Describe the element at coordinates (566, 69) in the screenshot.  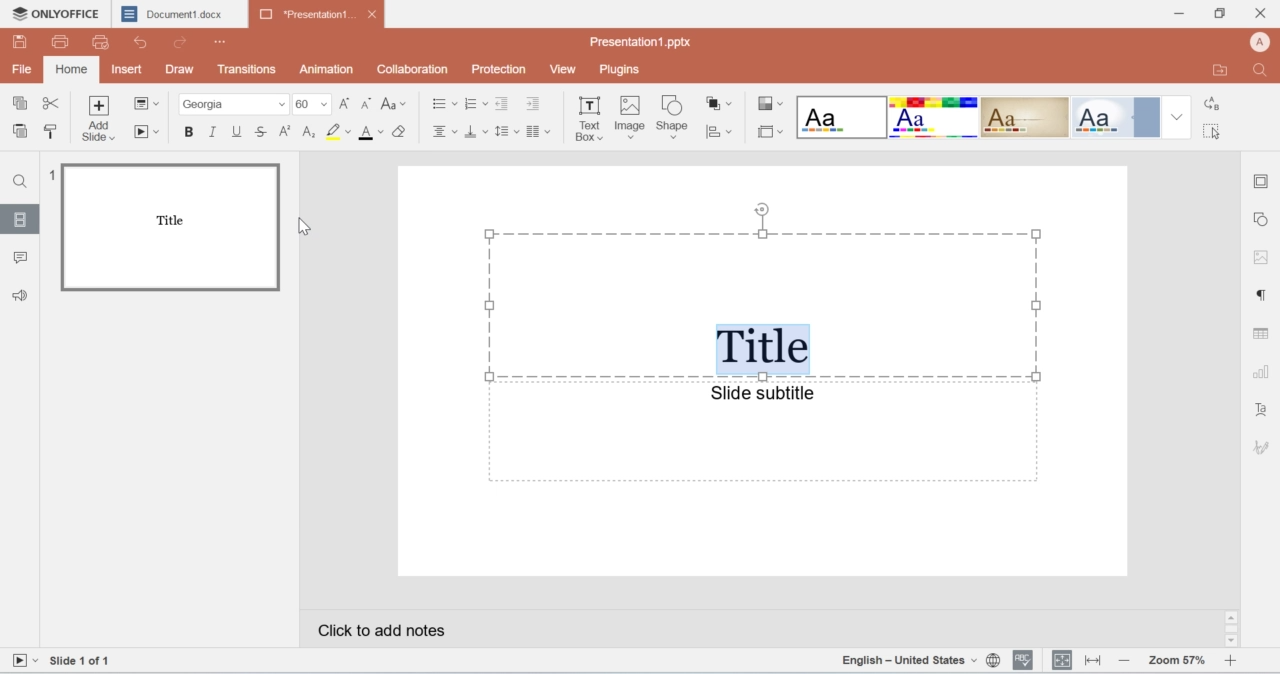
I see `view` at that location.